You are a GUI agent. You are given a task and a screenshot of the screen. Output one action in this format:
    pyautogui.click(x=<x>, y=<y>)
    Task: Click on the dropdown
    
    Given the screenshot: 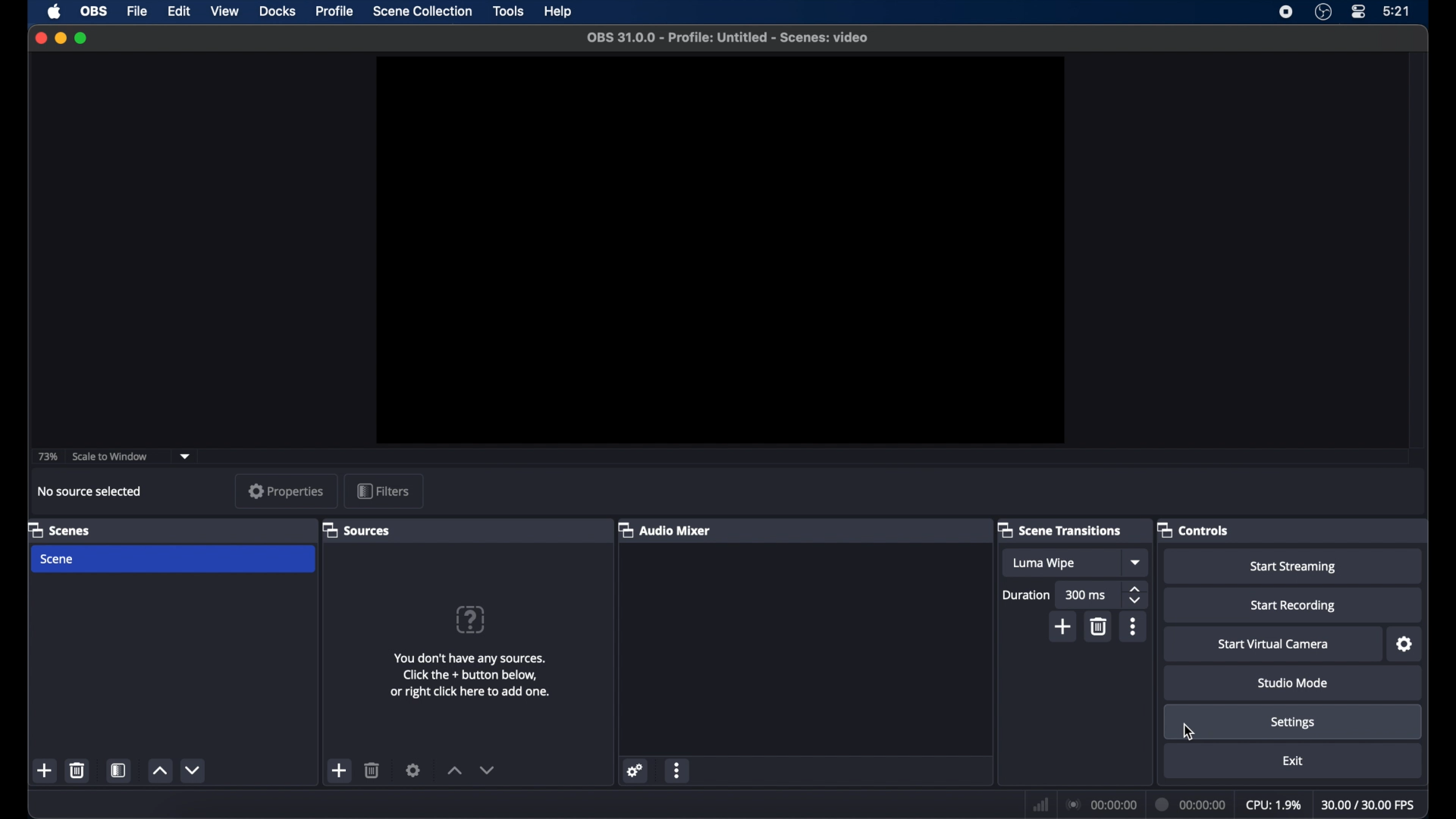 What is the action you would take?
    pyautogui.click(x=186, y=457)
    